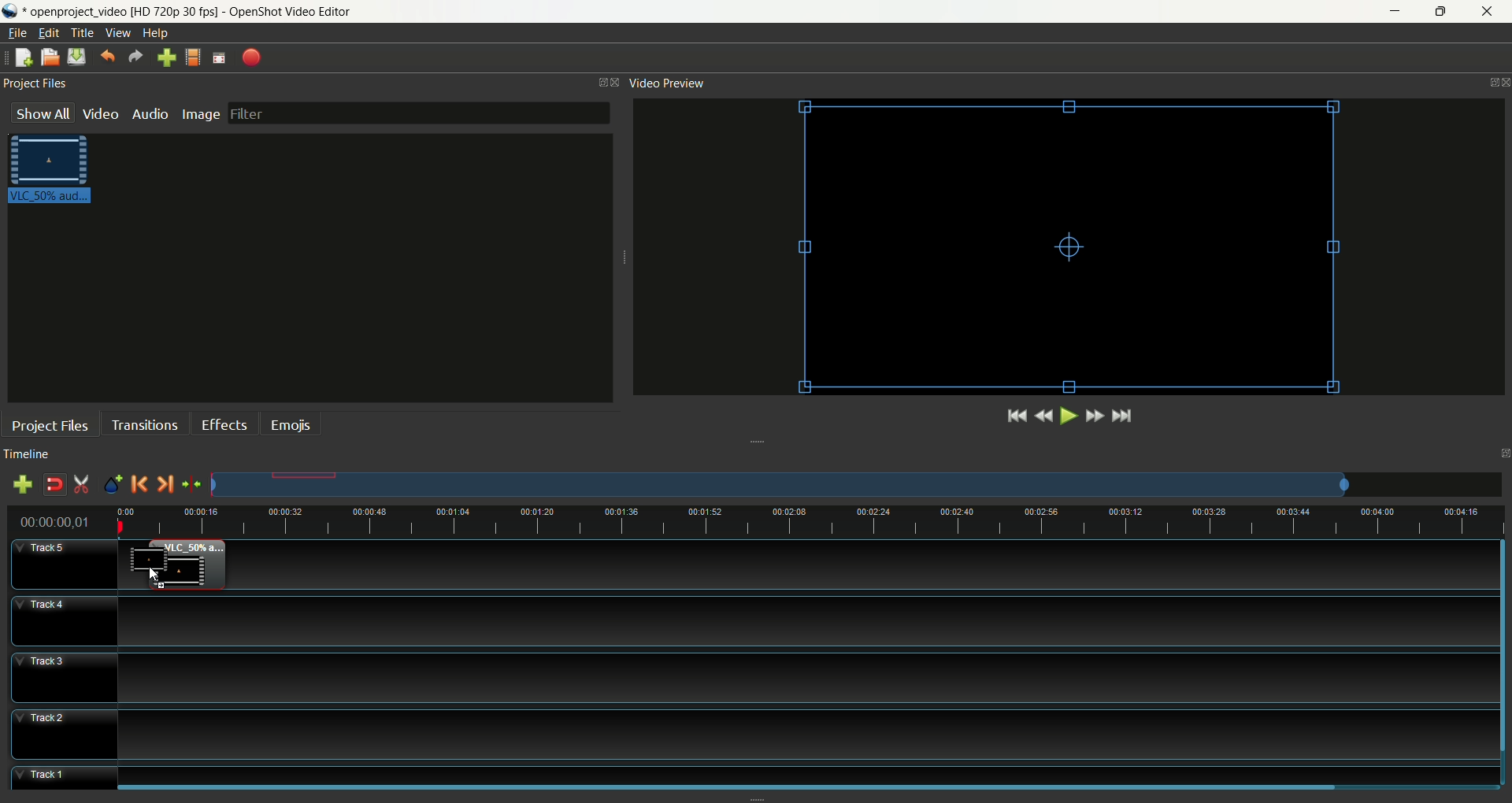 The height and width of the screenshot is (803, 1512). Describe the element at coordinates (754, 620) in the screenshot. I see `track4` at that location.